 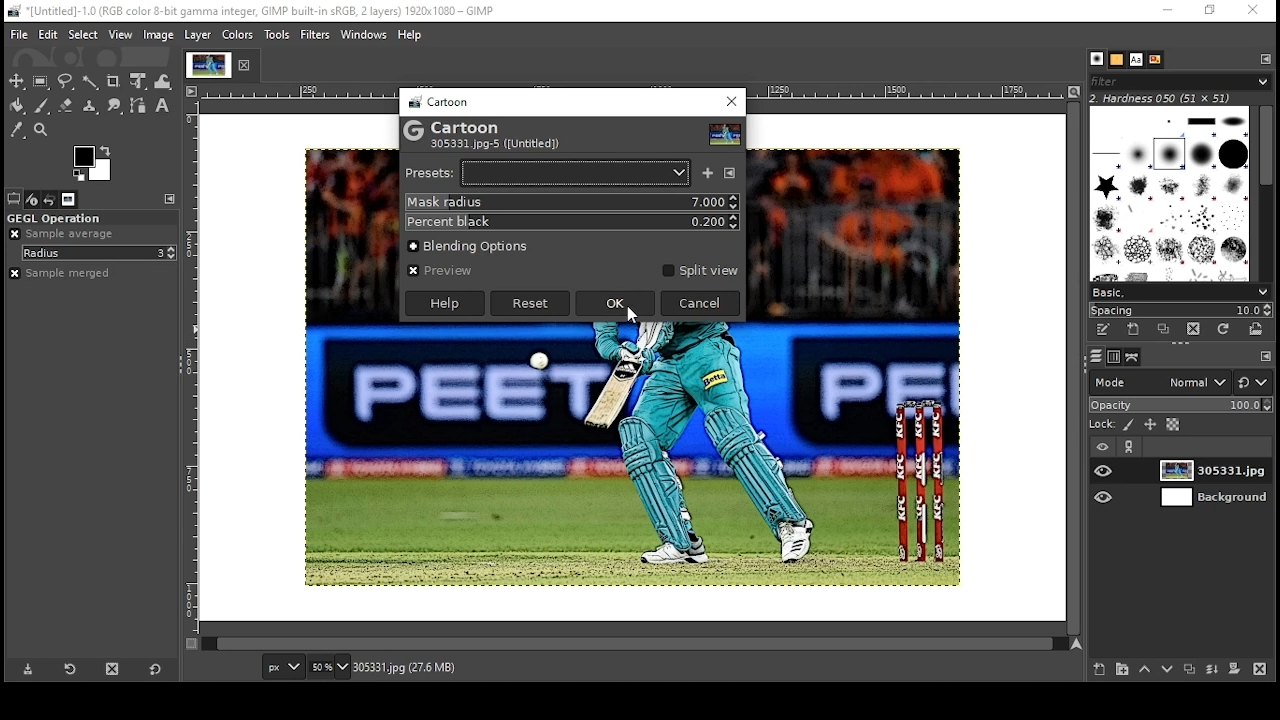 What do you see at coordinates (1192, 670) in the screenshot?
I see `duplicate layer` at bounding box center [1192, 670].